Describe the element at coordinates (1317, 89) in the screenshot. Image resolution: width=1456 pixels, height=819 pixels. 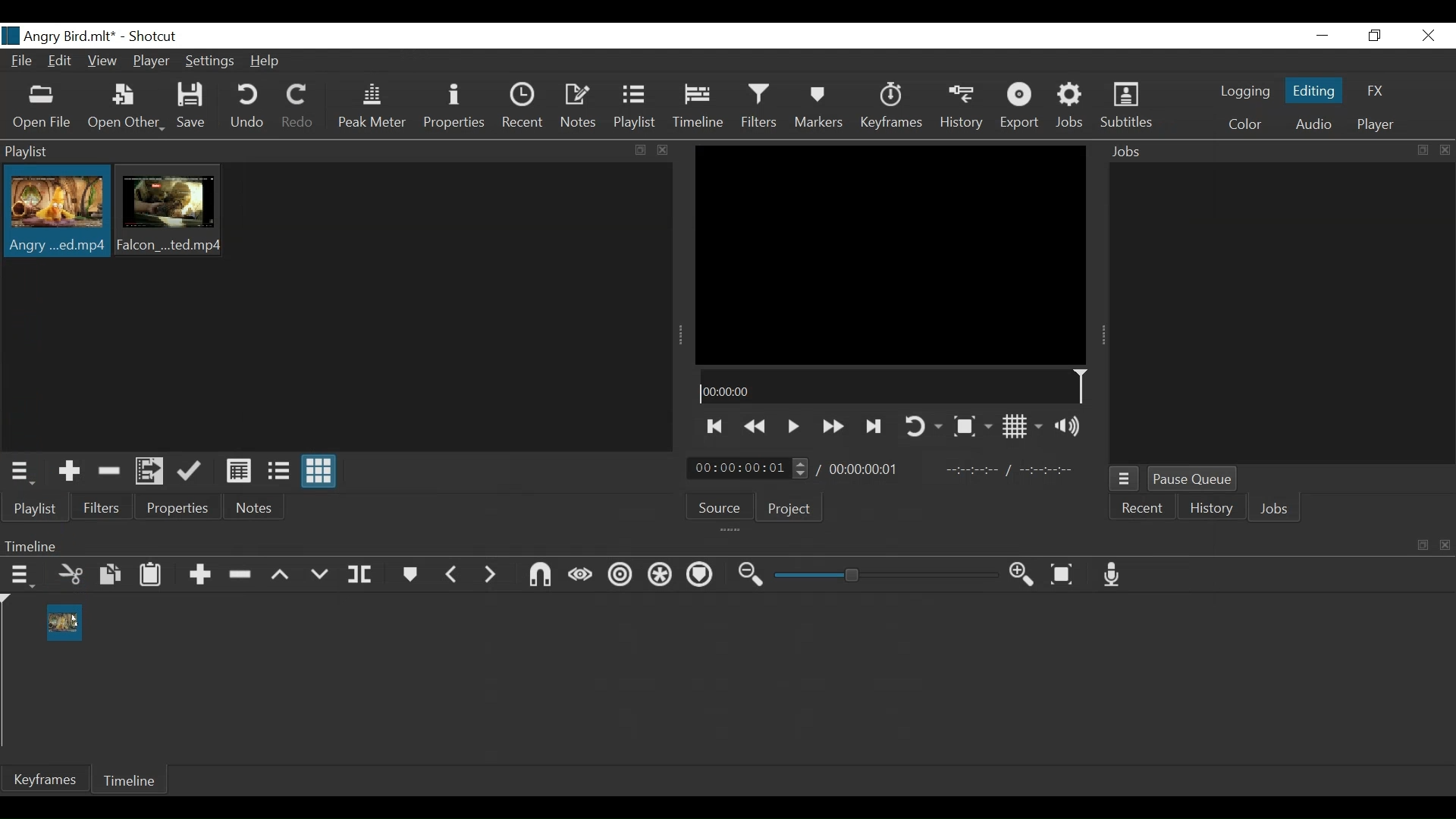
I see `Editing` at that location.